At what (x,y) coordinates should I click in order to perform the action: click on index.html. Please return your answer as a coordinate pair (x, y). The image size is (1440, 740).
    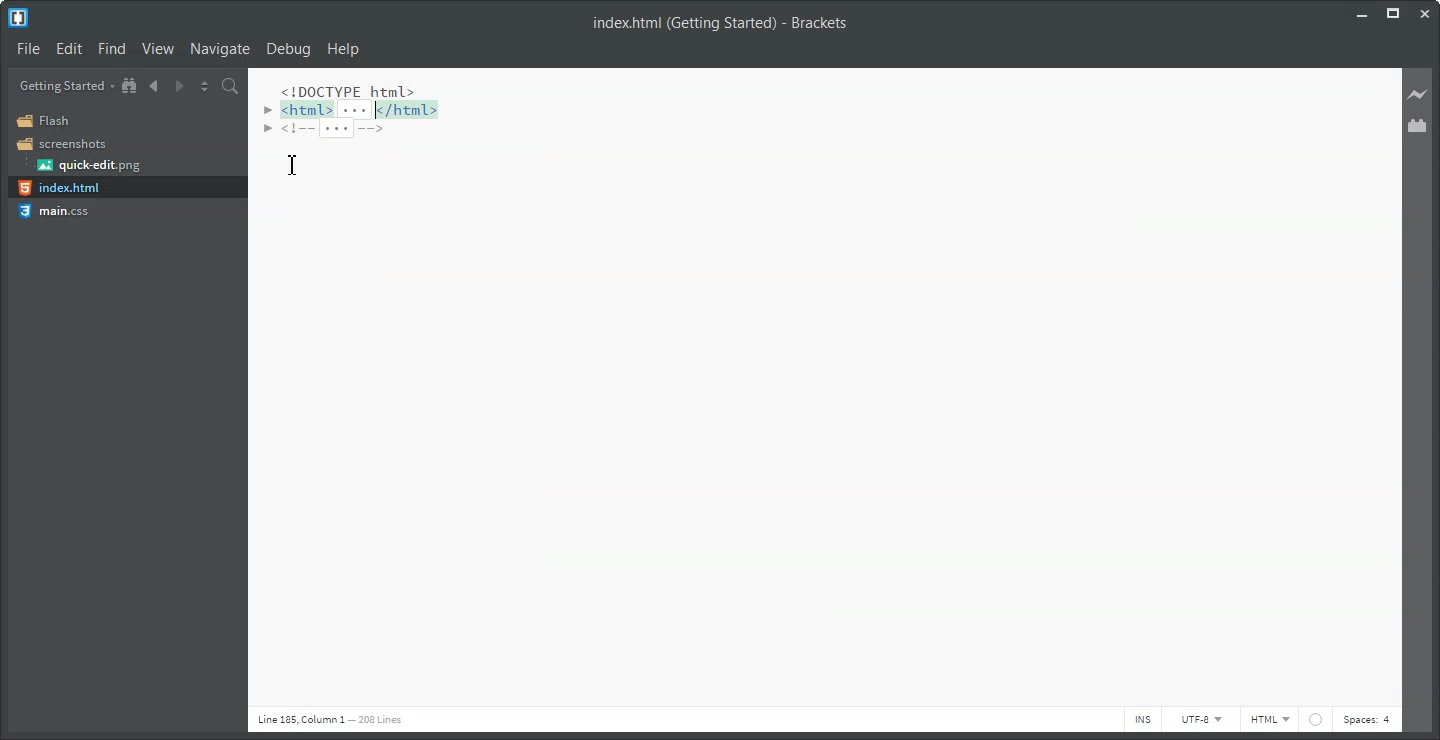
    Looking at the image, I should click on (59, 188).